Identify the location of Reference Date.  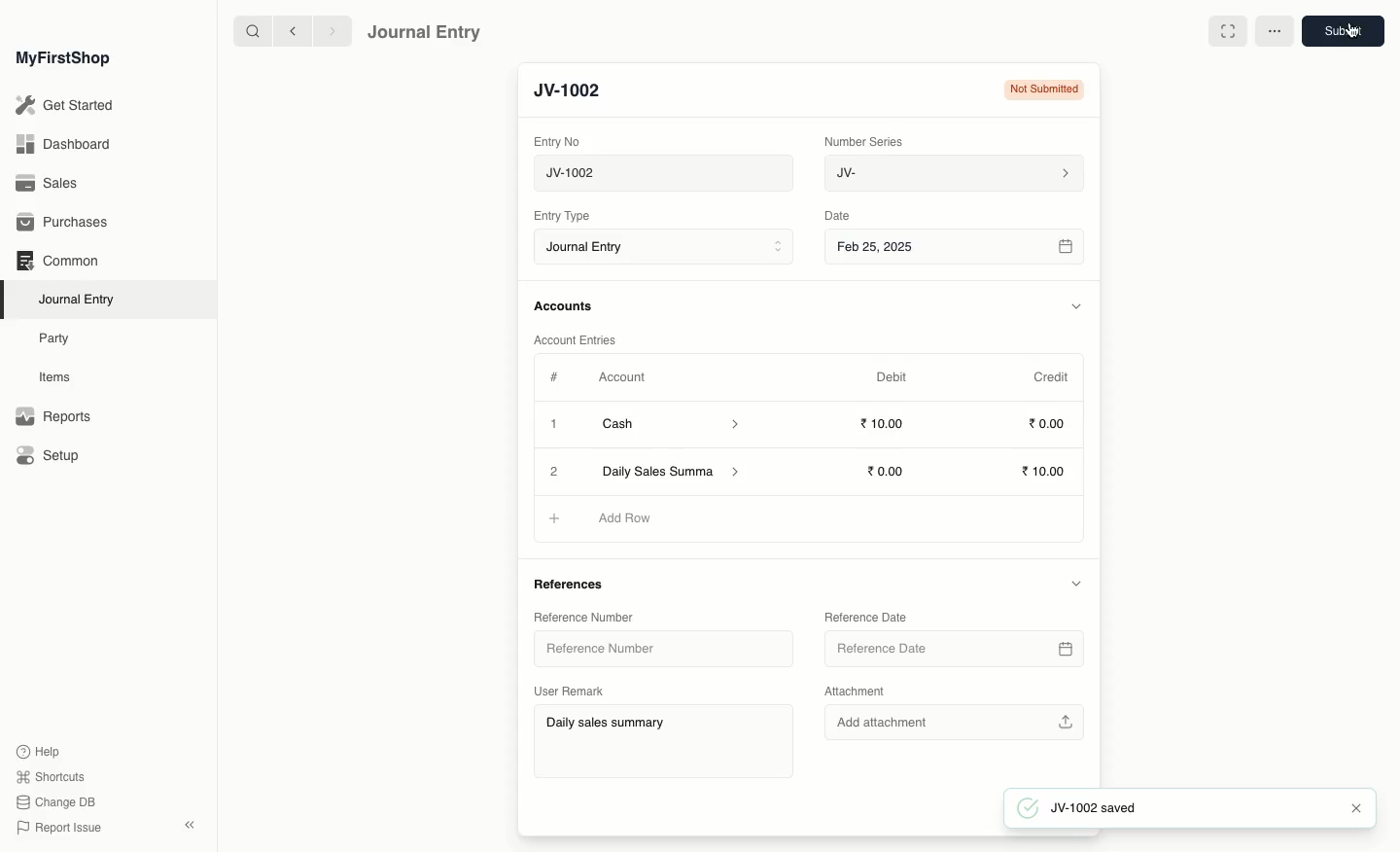
(952, 649).